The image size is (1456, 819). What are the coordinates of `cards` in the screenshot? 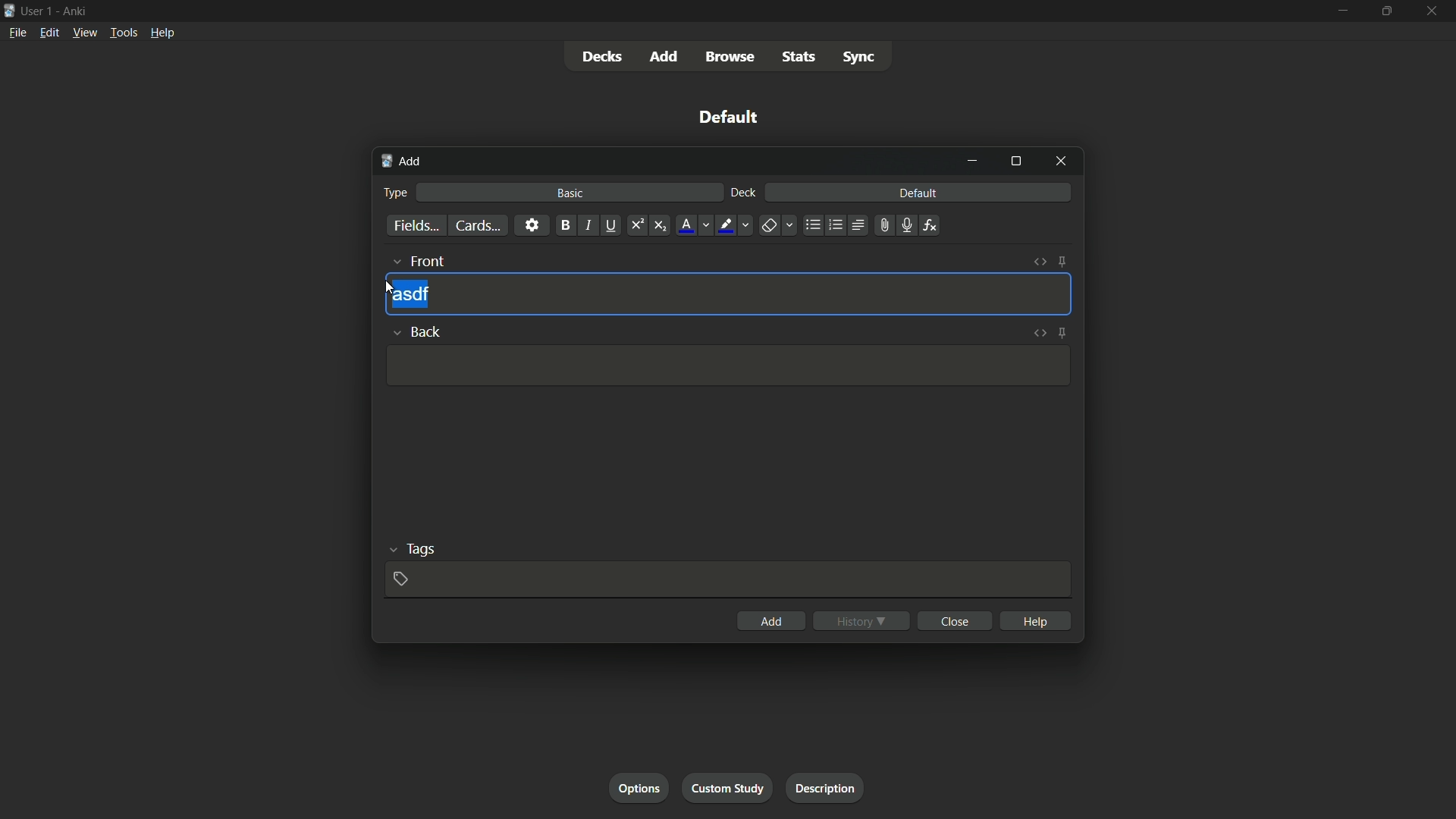 It's located at (477, 225).